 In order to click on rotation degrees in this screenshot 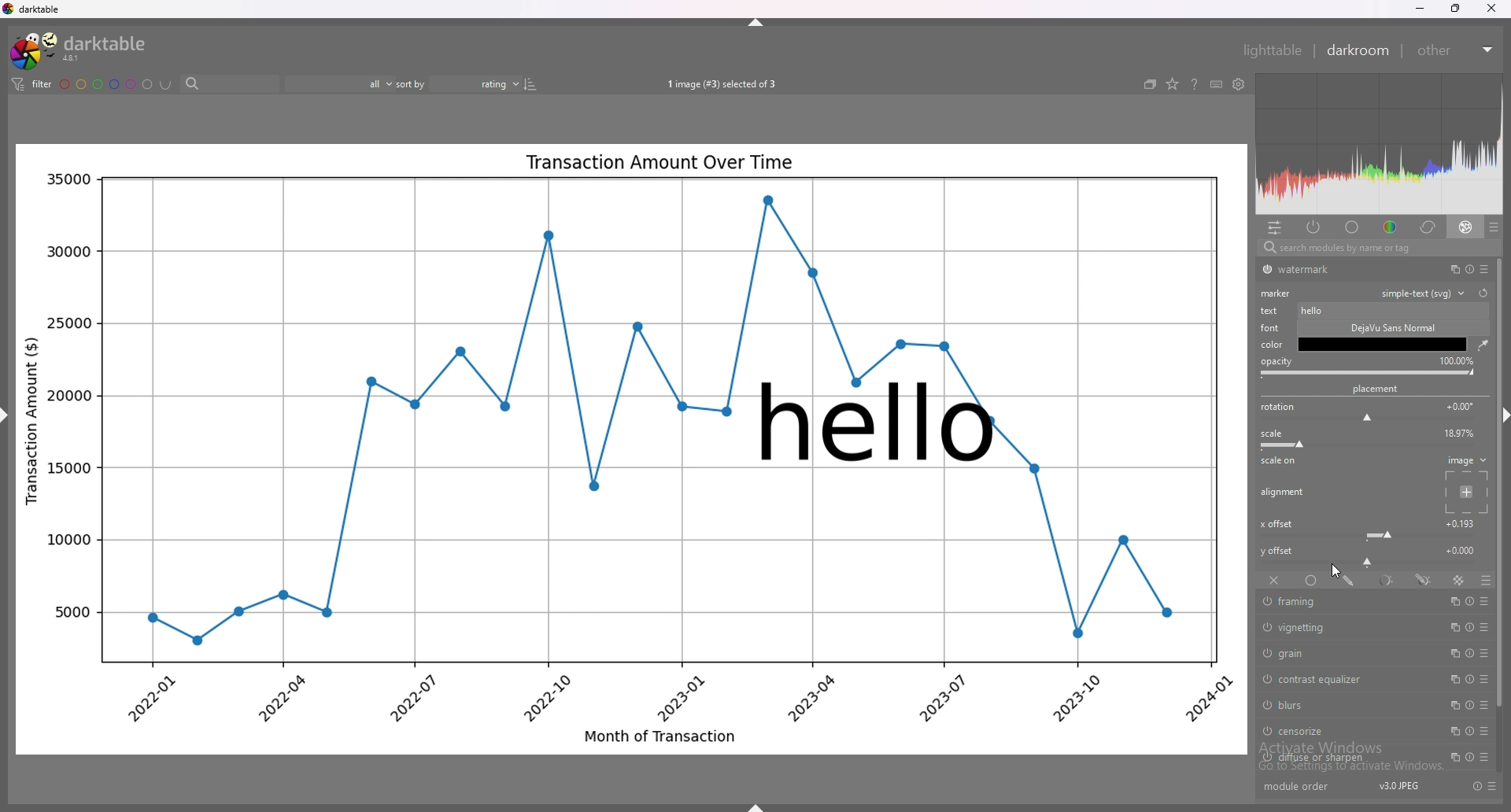, I will do `click(1461, 405)`.